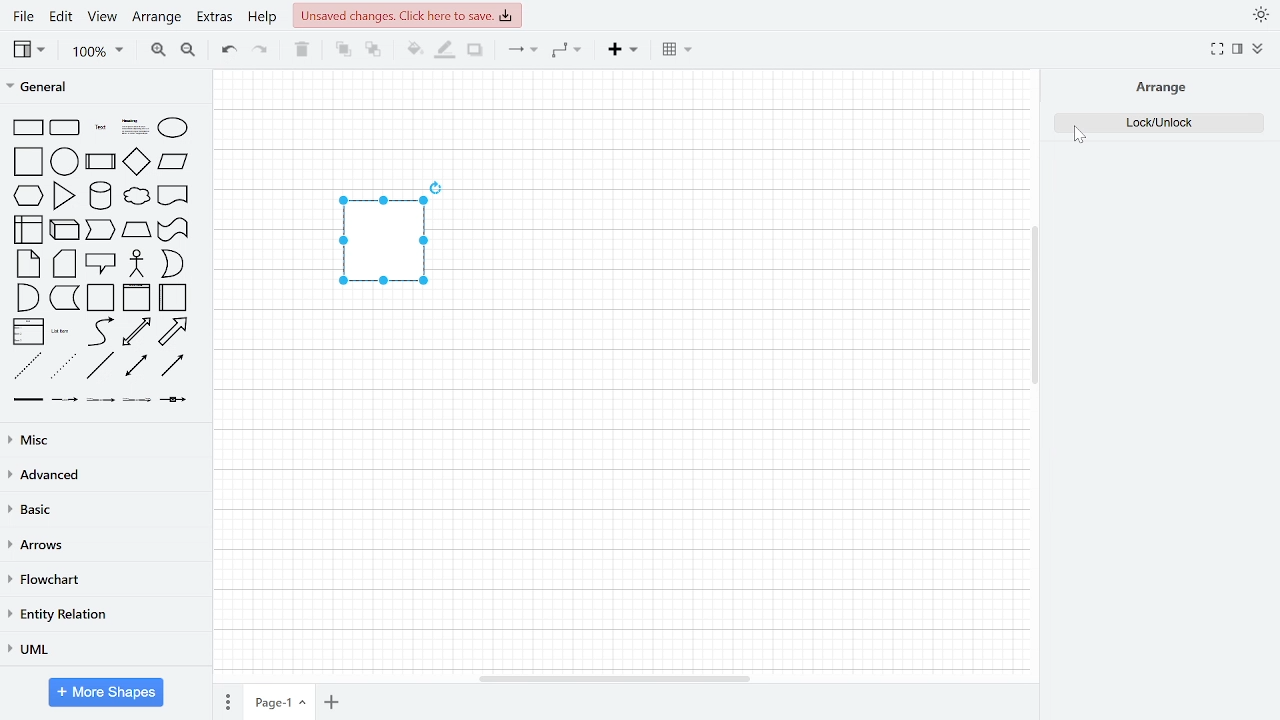 The image size is (1280, 720). Describe the element at coordinates (30, 52) in the screenshot. I see `view` at that location.